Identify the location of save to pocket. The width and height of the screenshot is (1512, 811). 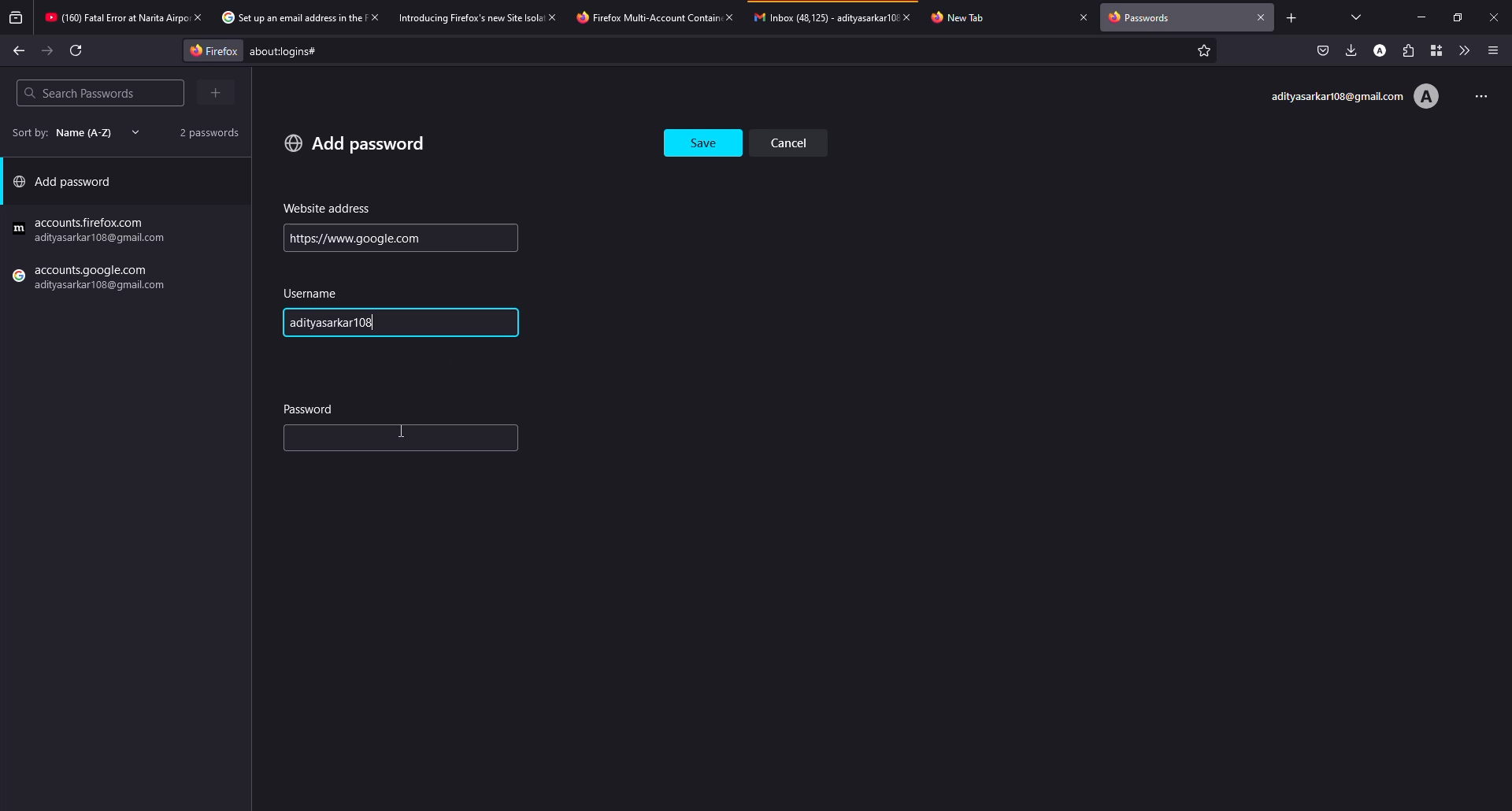
(1323, 50).